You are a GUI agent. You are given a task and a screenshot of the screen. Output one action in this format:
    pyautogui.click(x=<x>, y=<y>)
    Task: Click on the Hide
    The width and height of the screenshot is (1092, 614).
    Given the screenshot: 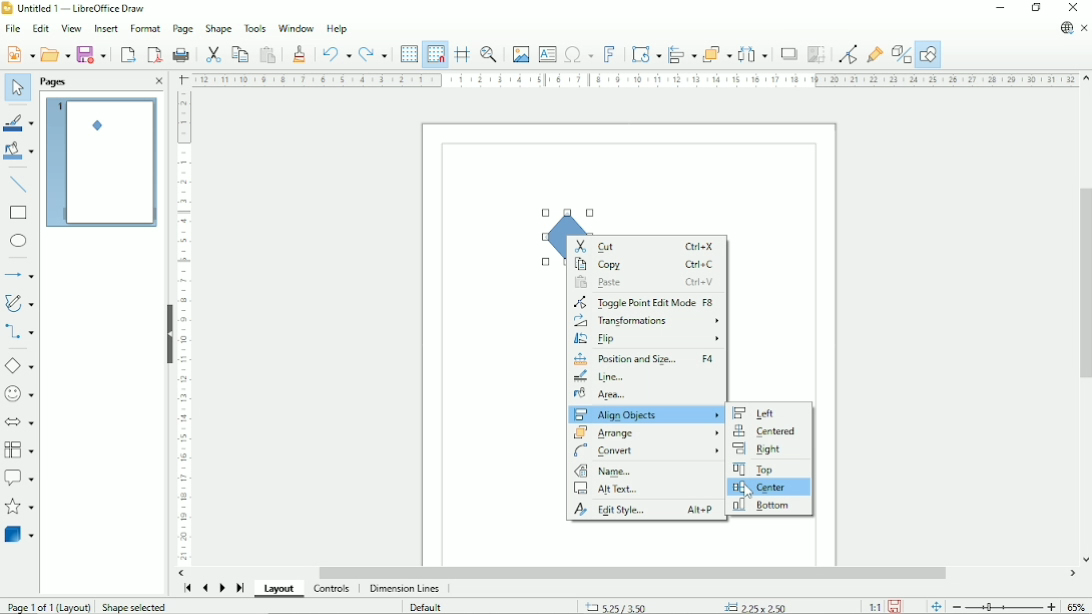 What is the action you would take?
    pyautogui.click(x=168, y=334)
    